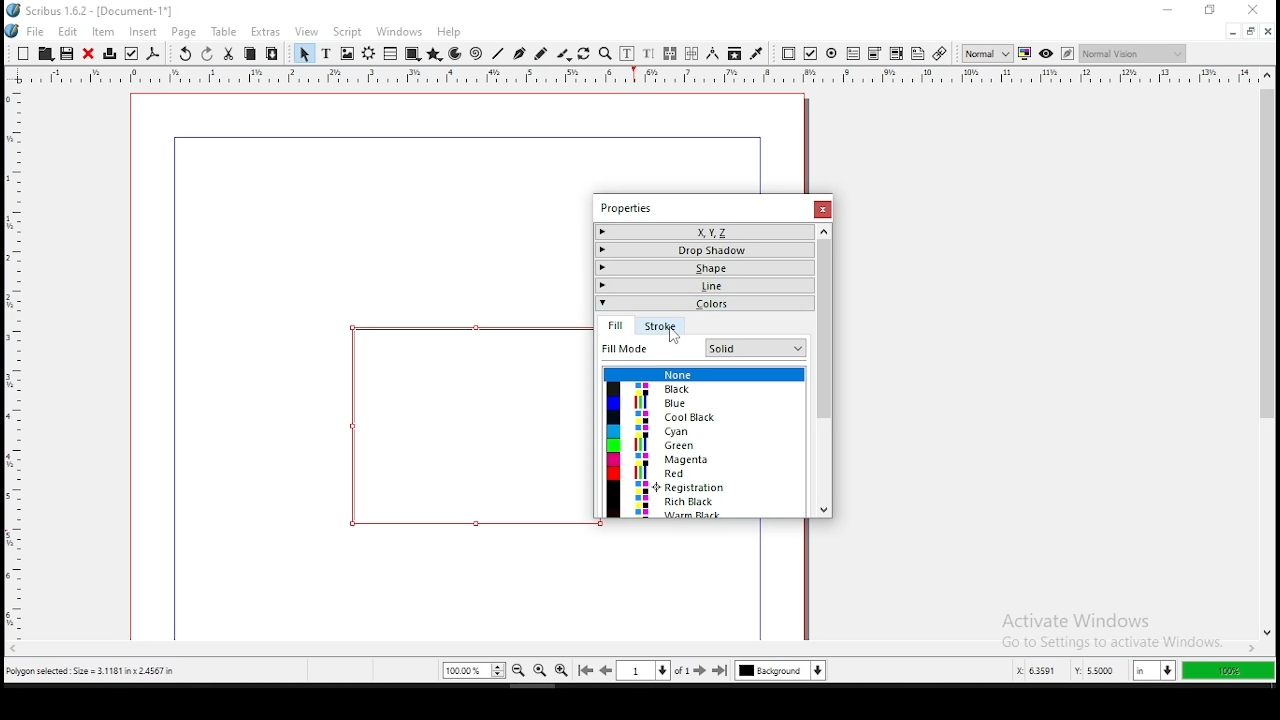 This screenshot has width=1280, height=720. Describe the element at coordinates (250, 54) in the screenshot. I see `copy` at that location.